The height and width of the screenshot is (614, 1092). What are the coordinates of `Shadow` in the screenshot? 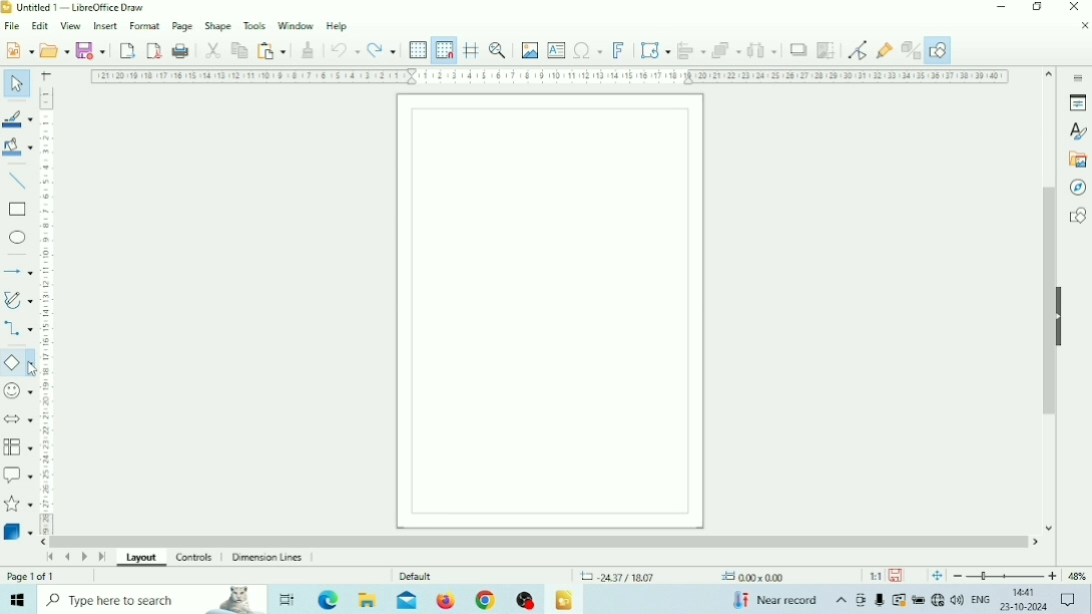 It's located at (798, 50).